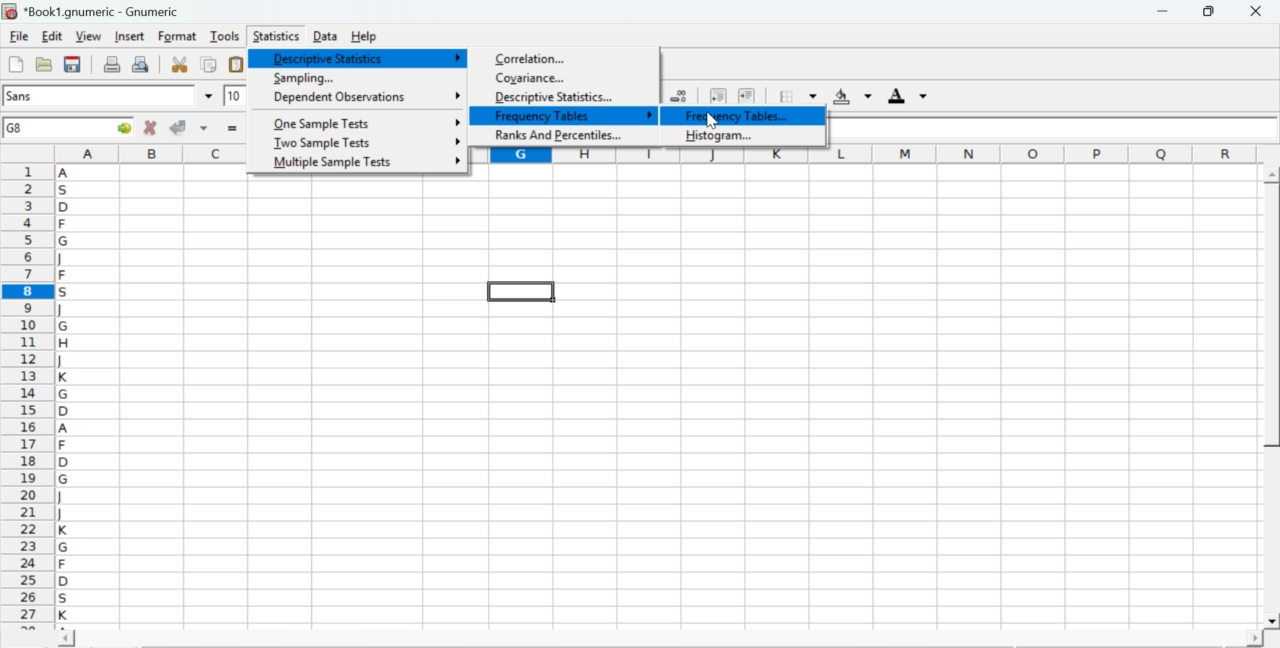 This screenshot has height=648, width=1280. I want to click on print, so click(112, 63).